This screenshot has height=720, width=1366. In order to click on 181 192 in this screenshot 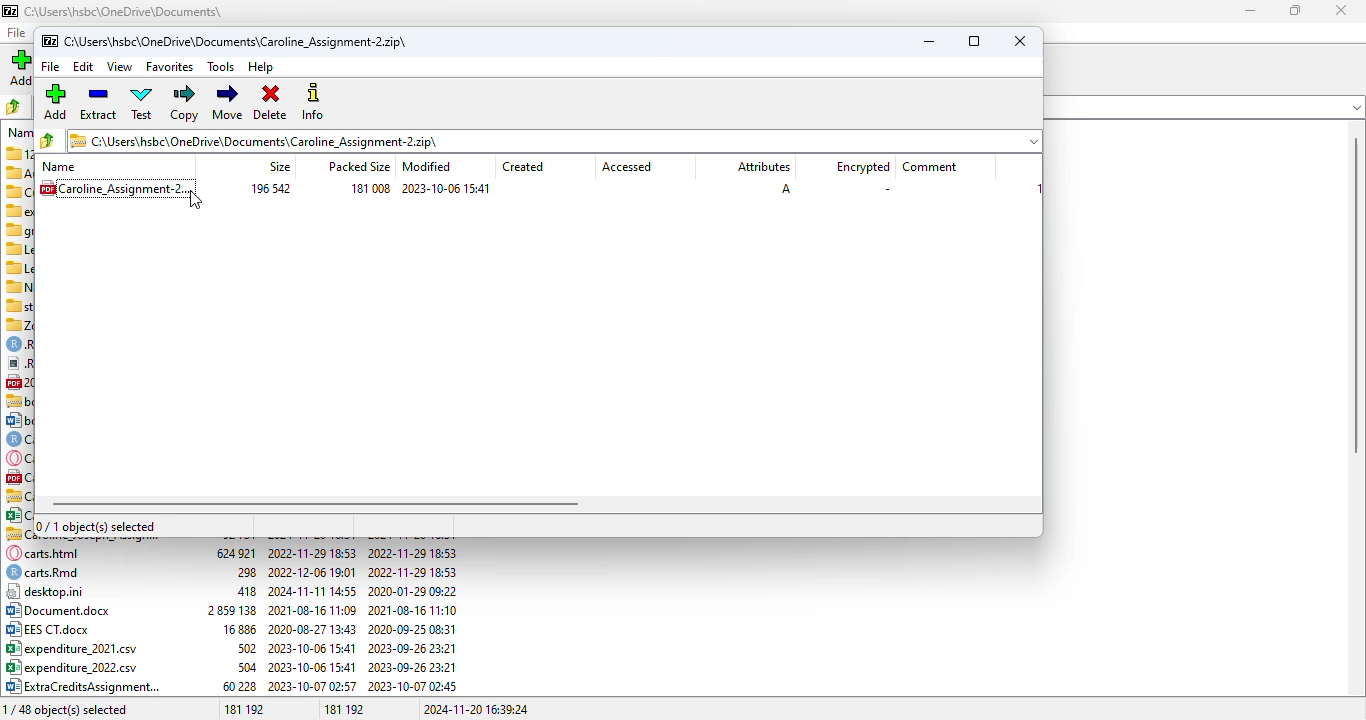, I will do `click(345, 709)`.